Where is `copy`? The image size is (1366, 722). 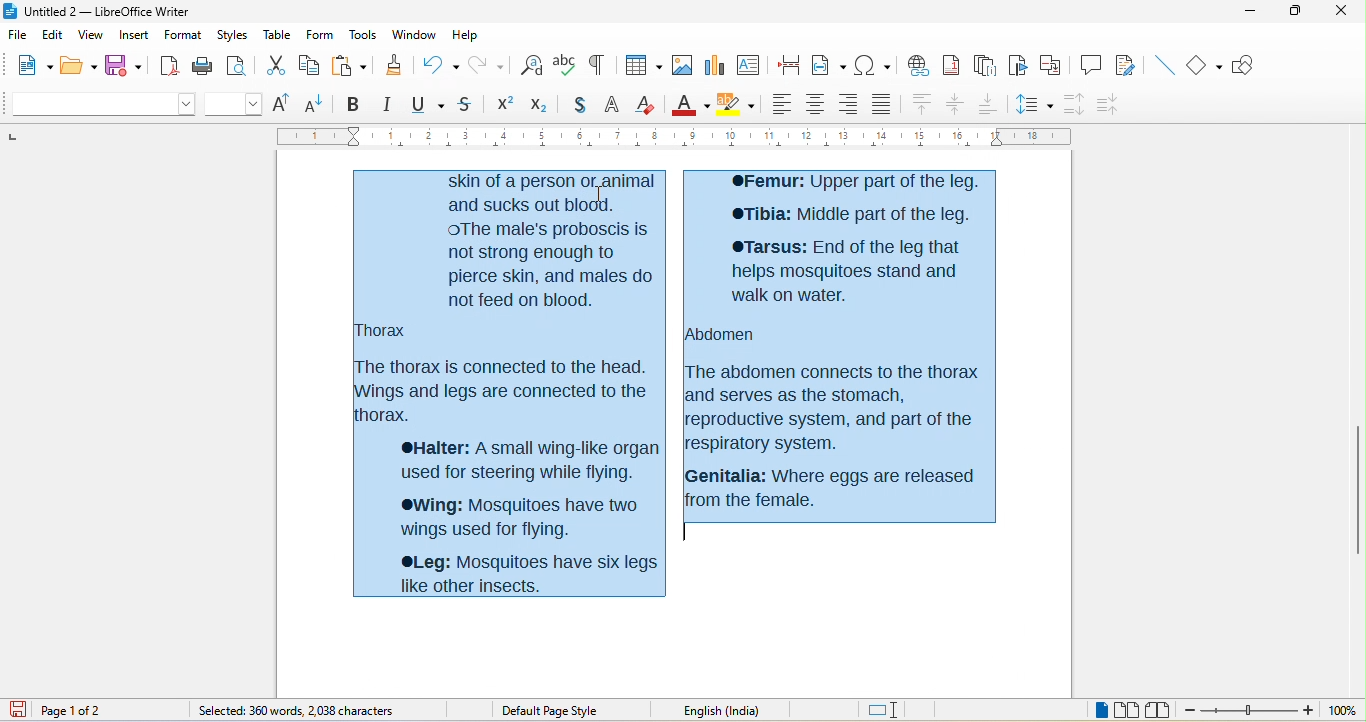 copy is located at coordinates (308, 67).